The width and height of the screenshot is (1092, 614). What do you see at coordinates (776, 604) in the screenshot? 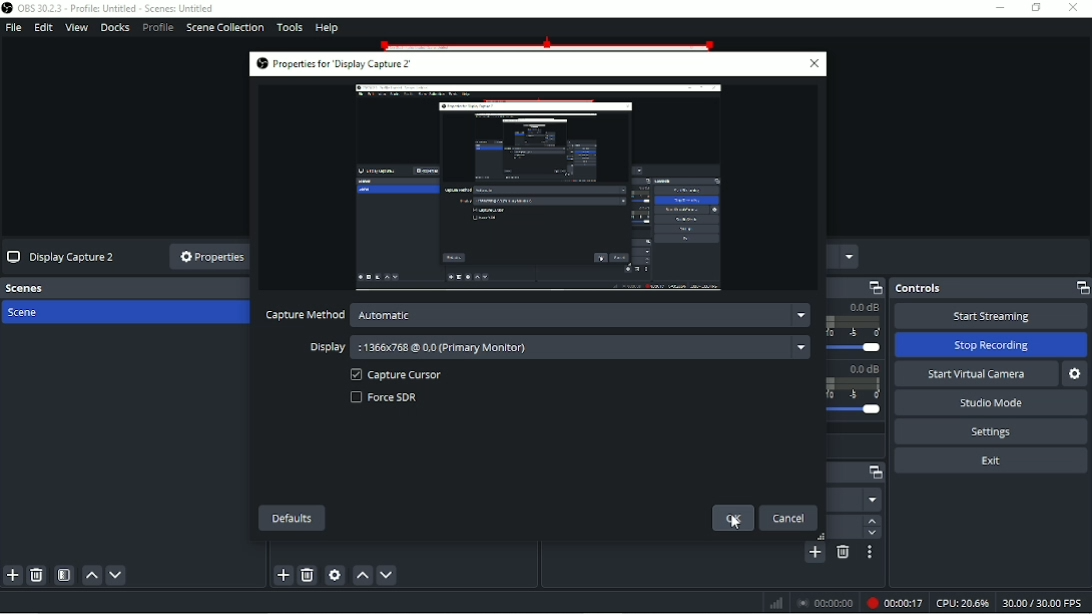
I see `Graph` at bounding box center [776, 604].